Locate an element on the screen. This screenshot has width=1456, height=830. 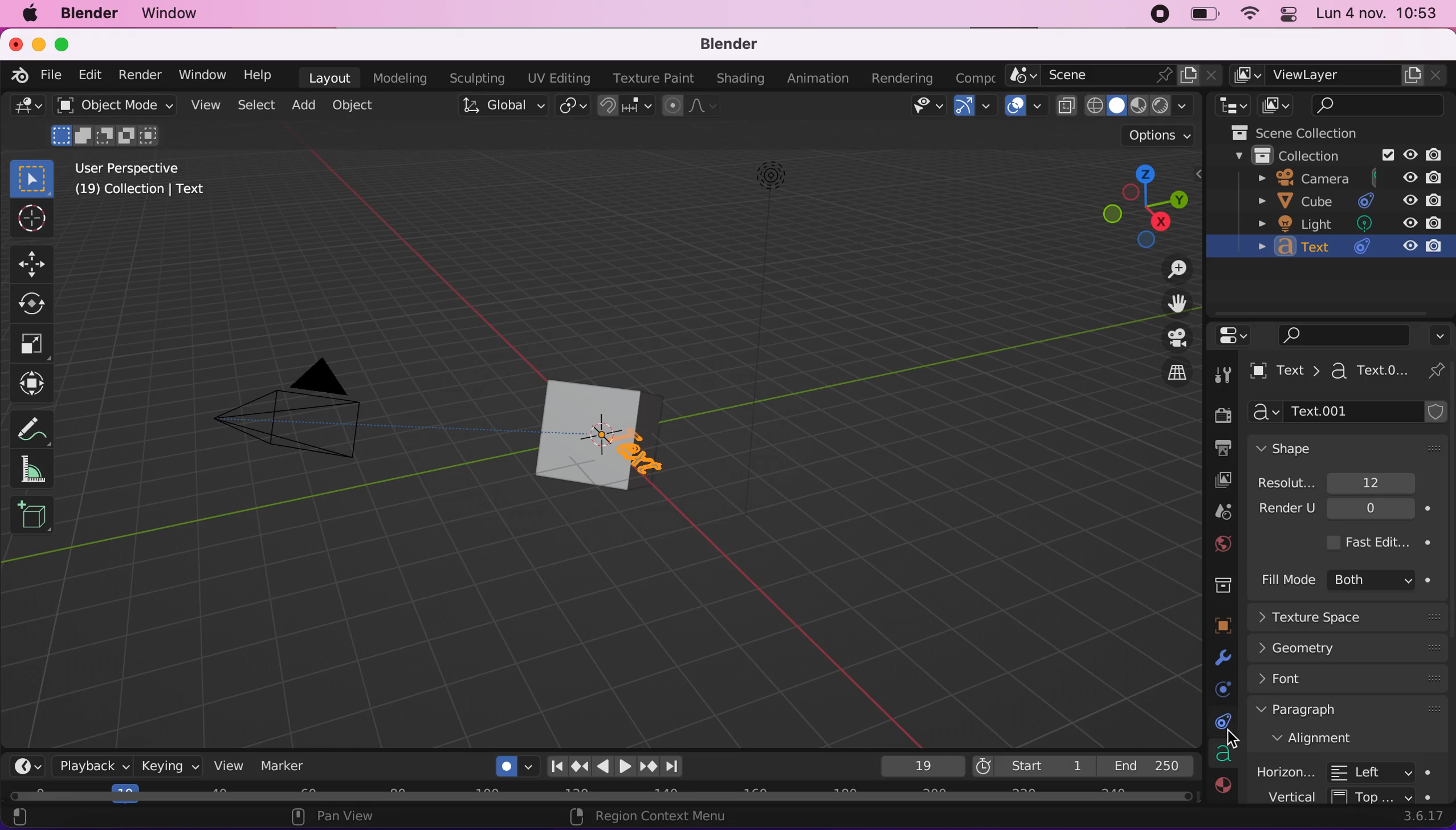
window is located at coordinates (180, 16).